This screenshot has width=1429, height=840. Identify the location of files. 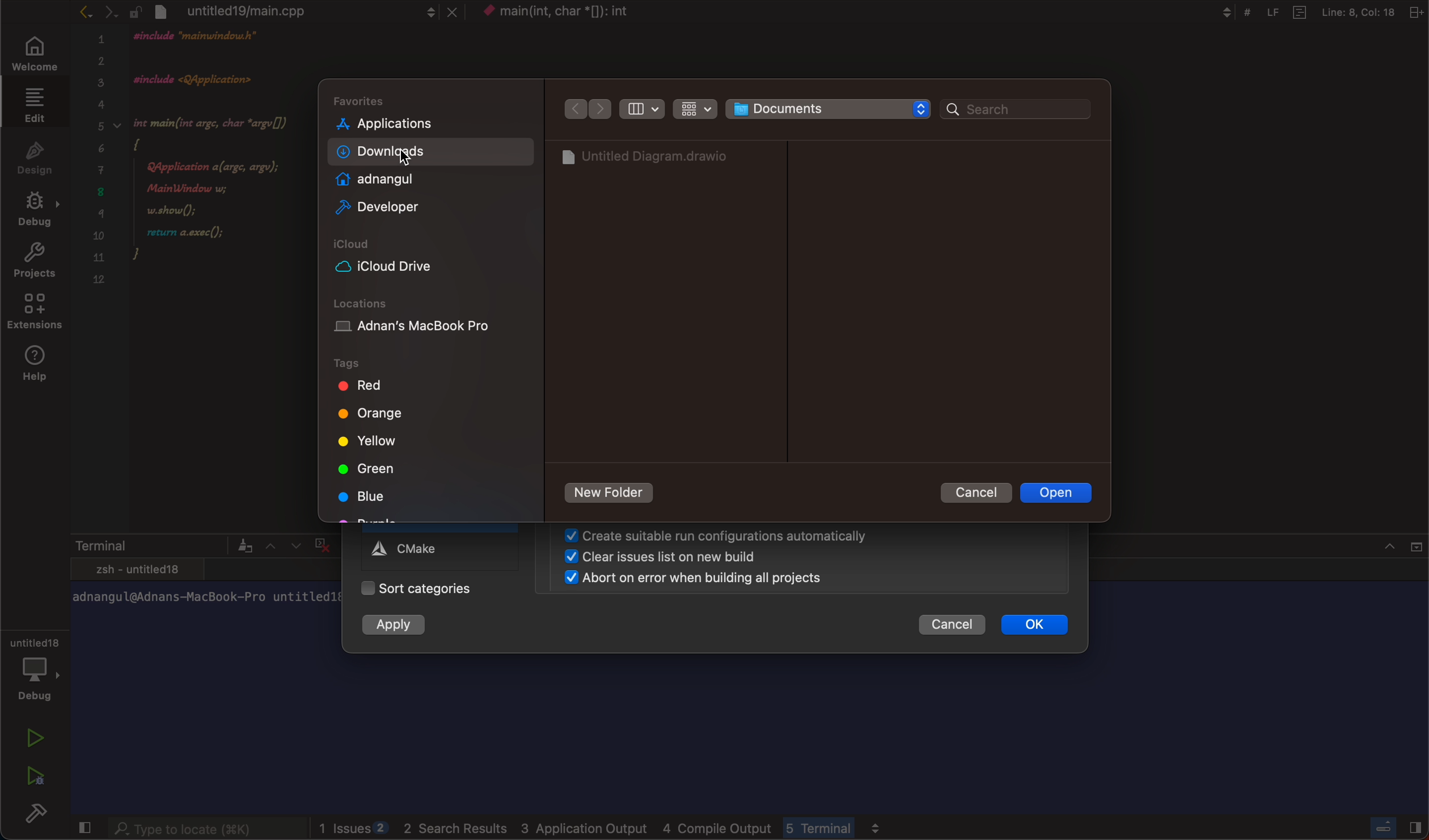
(655, 159).